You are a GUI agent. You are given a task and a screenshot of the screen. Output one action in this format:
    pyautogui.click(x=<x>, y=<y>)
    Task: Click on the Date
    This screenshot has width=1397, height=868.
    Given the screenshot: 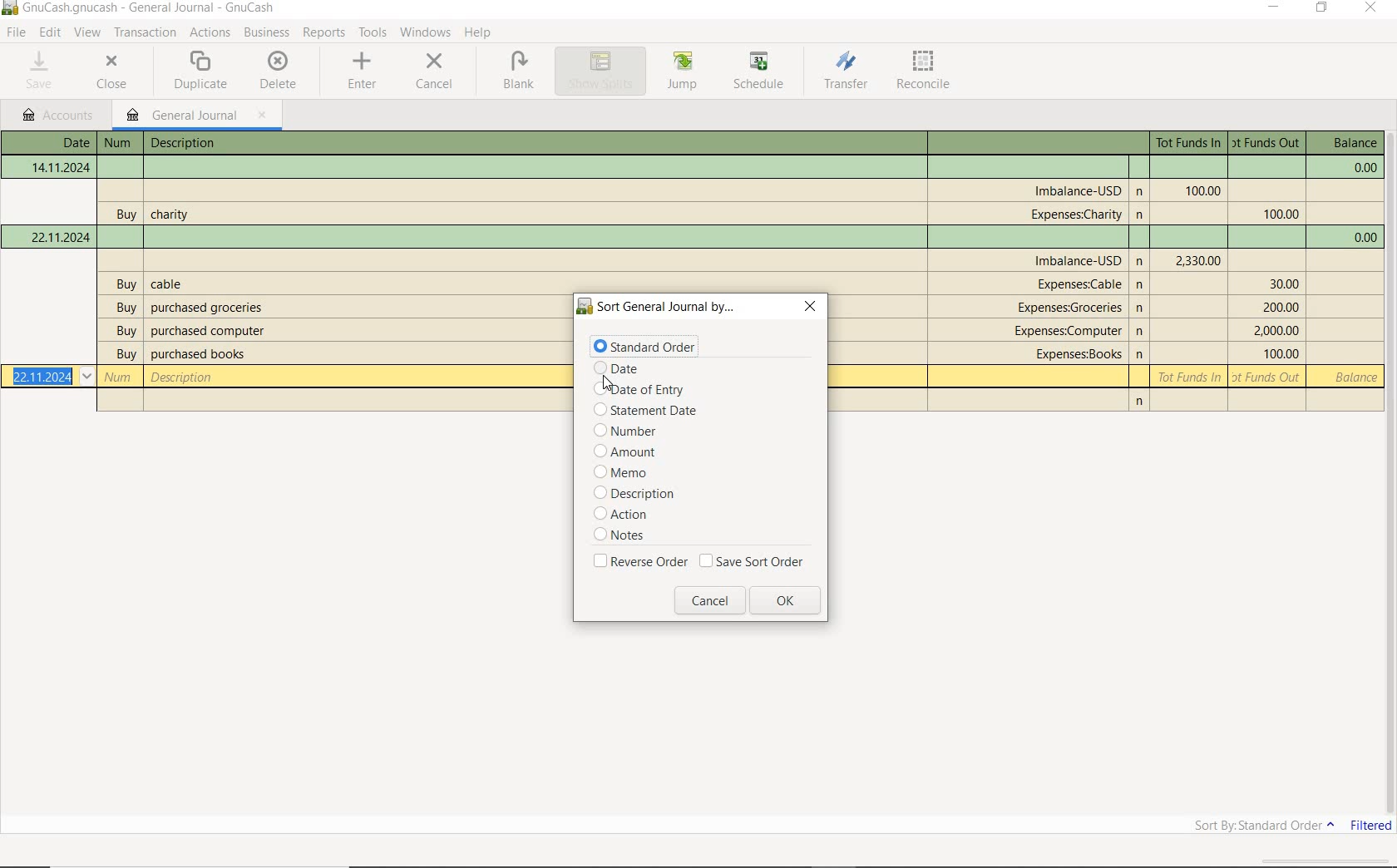 What is the action you would take?
    pyautogui.click(x=60, y=236)
    